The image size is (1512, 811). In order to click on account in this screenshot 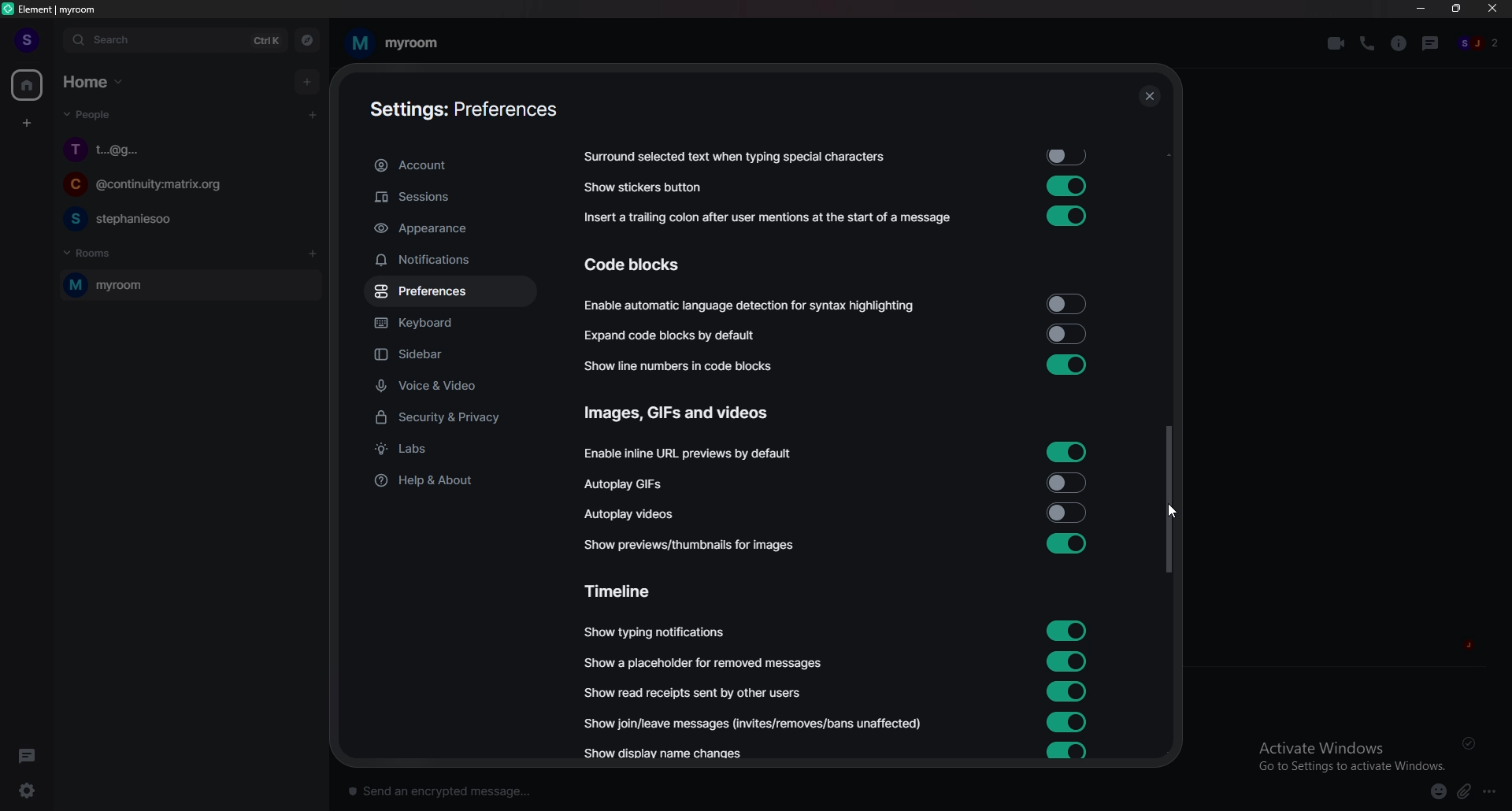, I will do `click(449, 166)`.